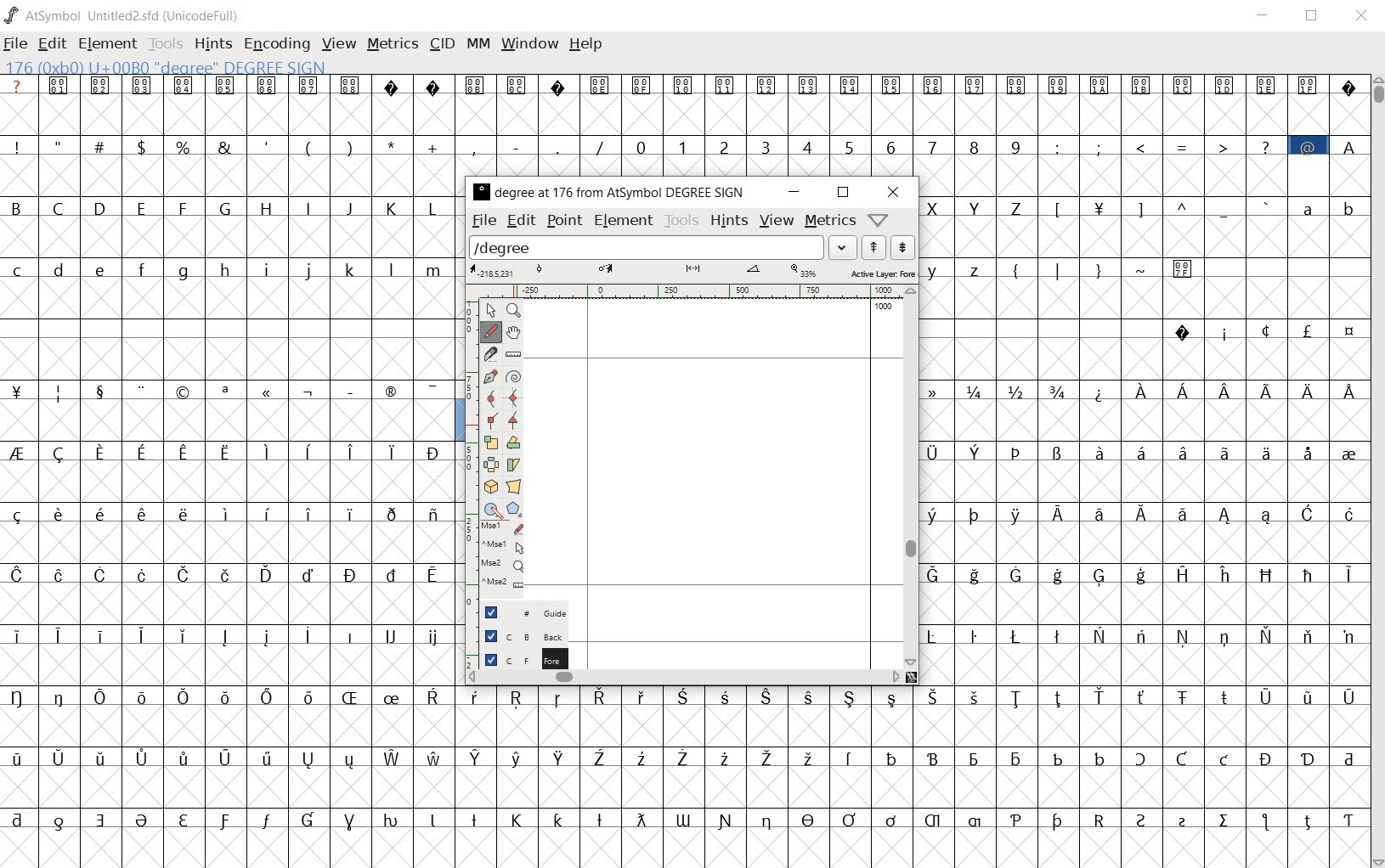  Describe the element at coordinates (1263, 330) in the screenshot. I see `special characters` at that location.